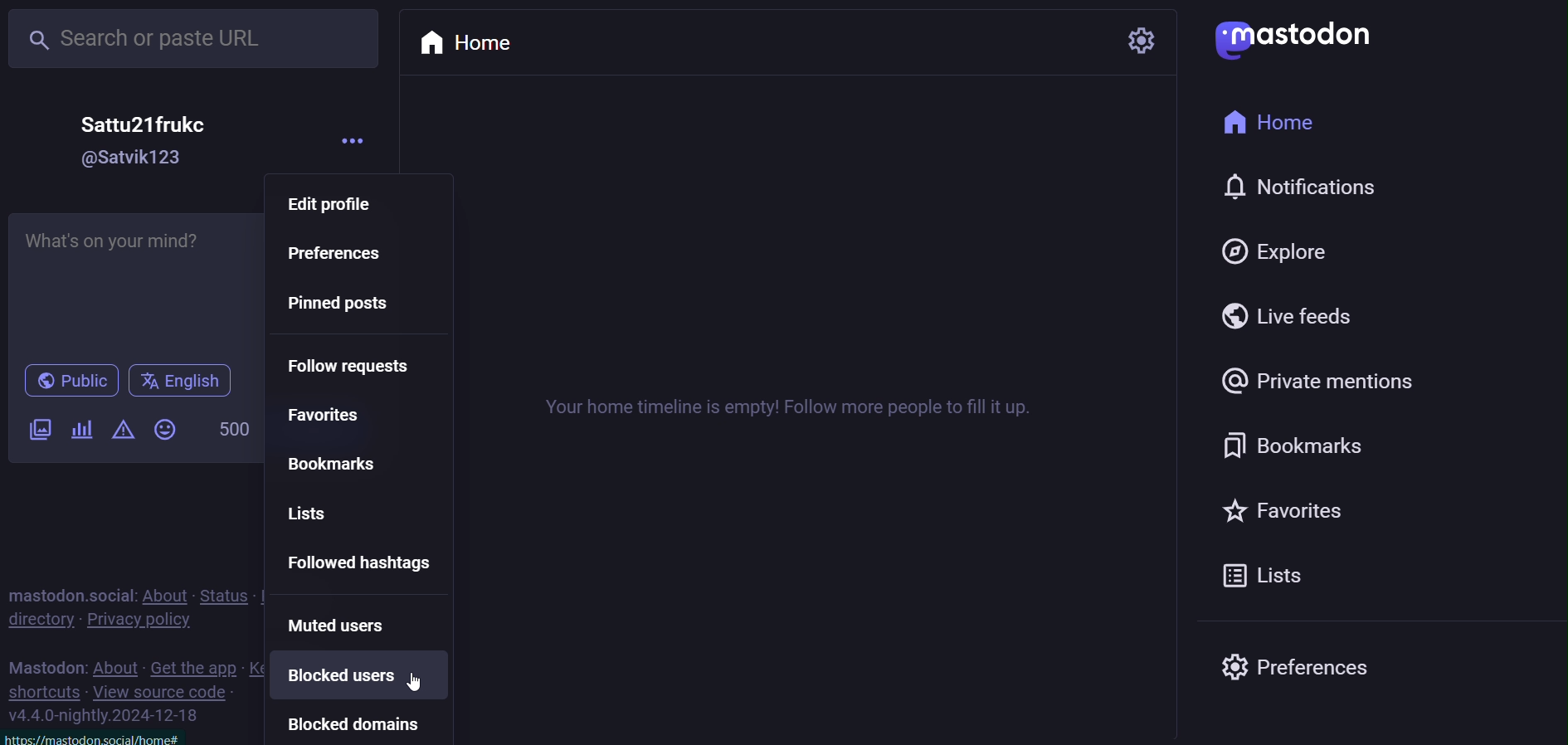 The image size is (1568, 745). I want to click on pinned posts, so click(353, 309).